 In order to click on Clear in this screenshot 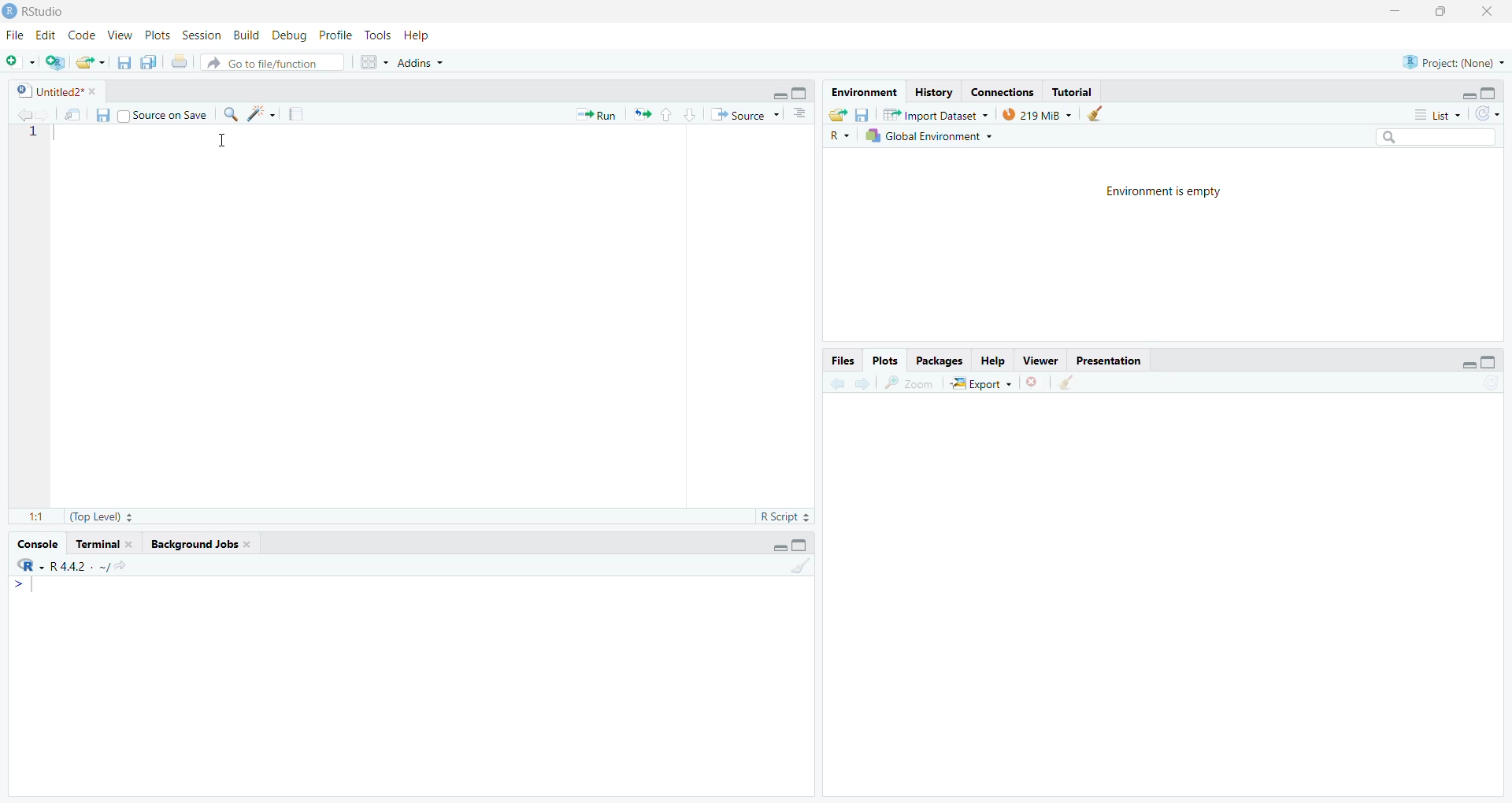, I will do `click(1065, 383)`.